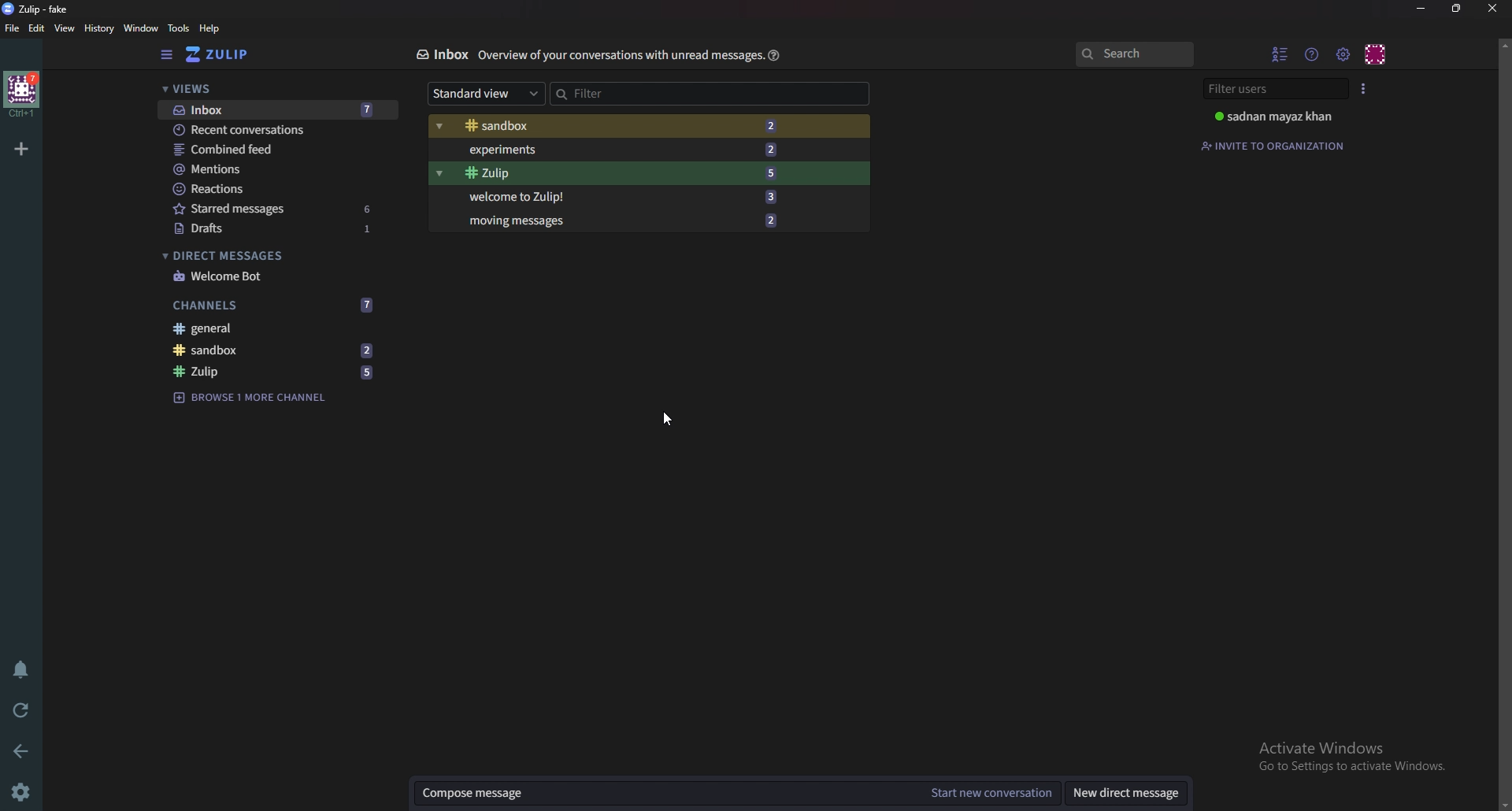 This screenshot has height=811, width=1512. What do you see at coordinates (257, 131) in the screenshot?
I see `Recent conversations` at bounding box center [257, 131].